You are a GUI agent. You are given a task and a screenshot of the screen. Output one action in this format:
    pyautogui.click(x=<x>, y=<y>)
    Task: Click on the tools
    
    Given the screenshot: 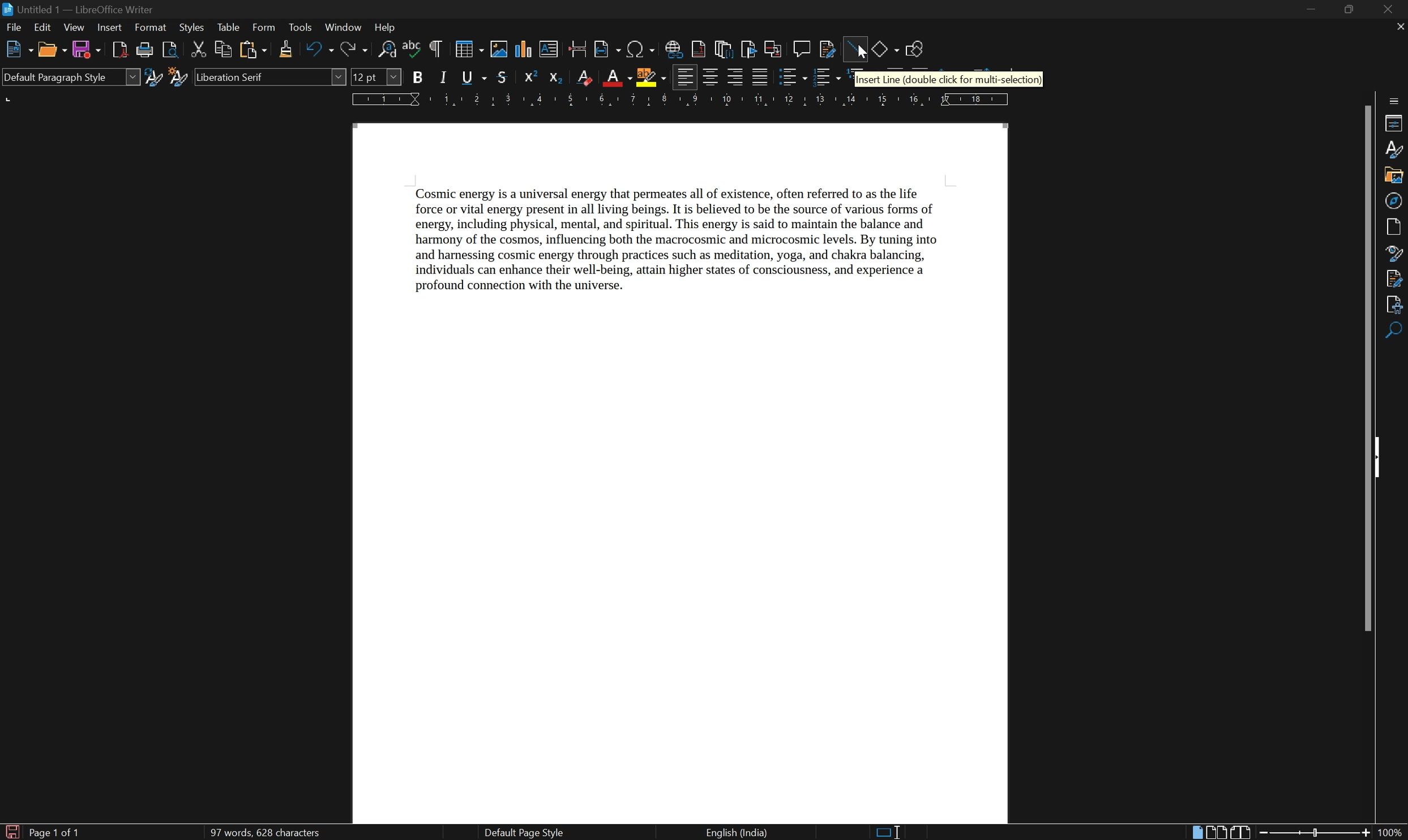 What is the action you would take?
    pyautogui.click(x=301, y=28)
    